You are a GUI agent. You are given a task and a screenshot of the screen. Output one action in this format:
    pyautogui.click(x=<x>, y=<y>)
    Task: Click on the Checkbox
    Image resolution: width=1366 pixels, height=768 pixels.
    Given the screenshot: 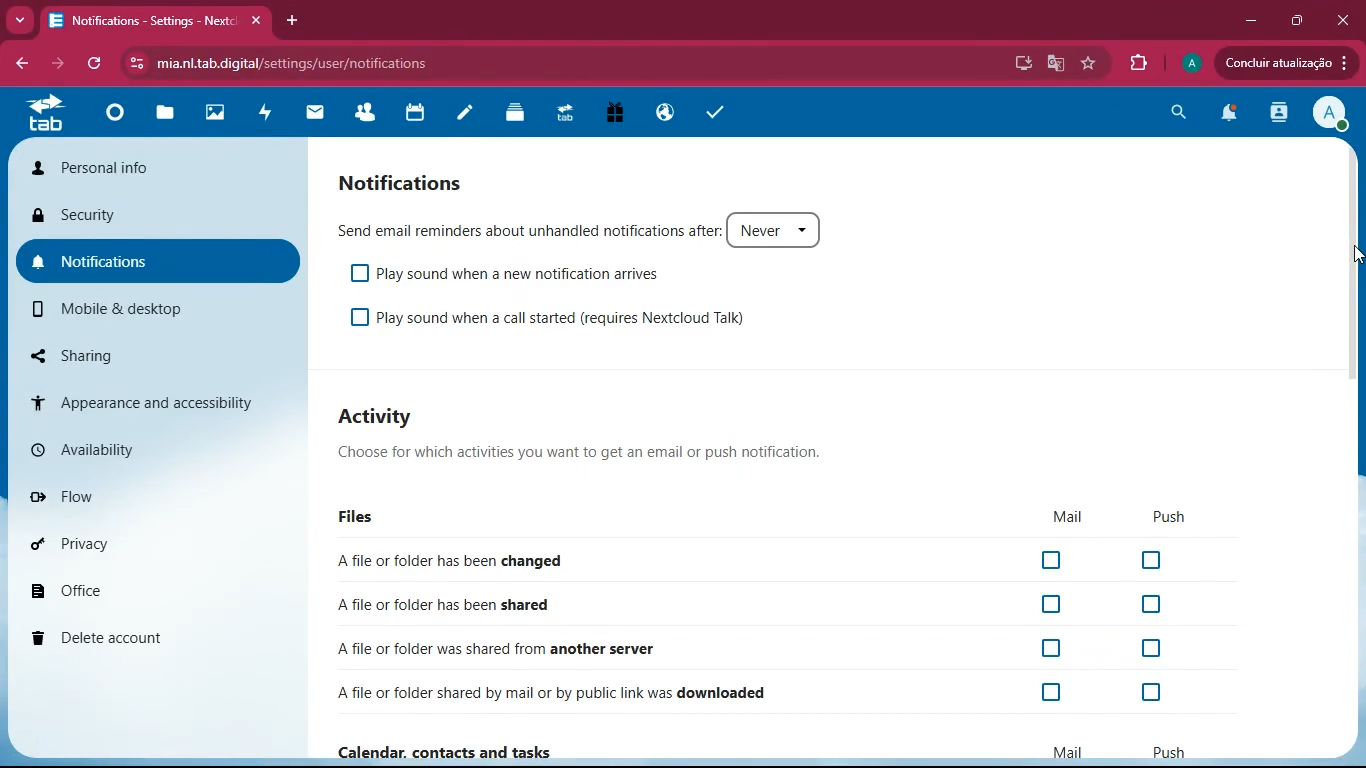 What is the action you would take?
    pyautogui.click(x=1147, y=607)
    